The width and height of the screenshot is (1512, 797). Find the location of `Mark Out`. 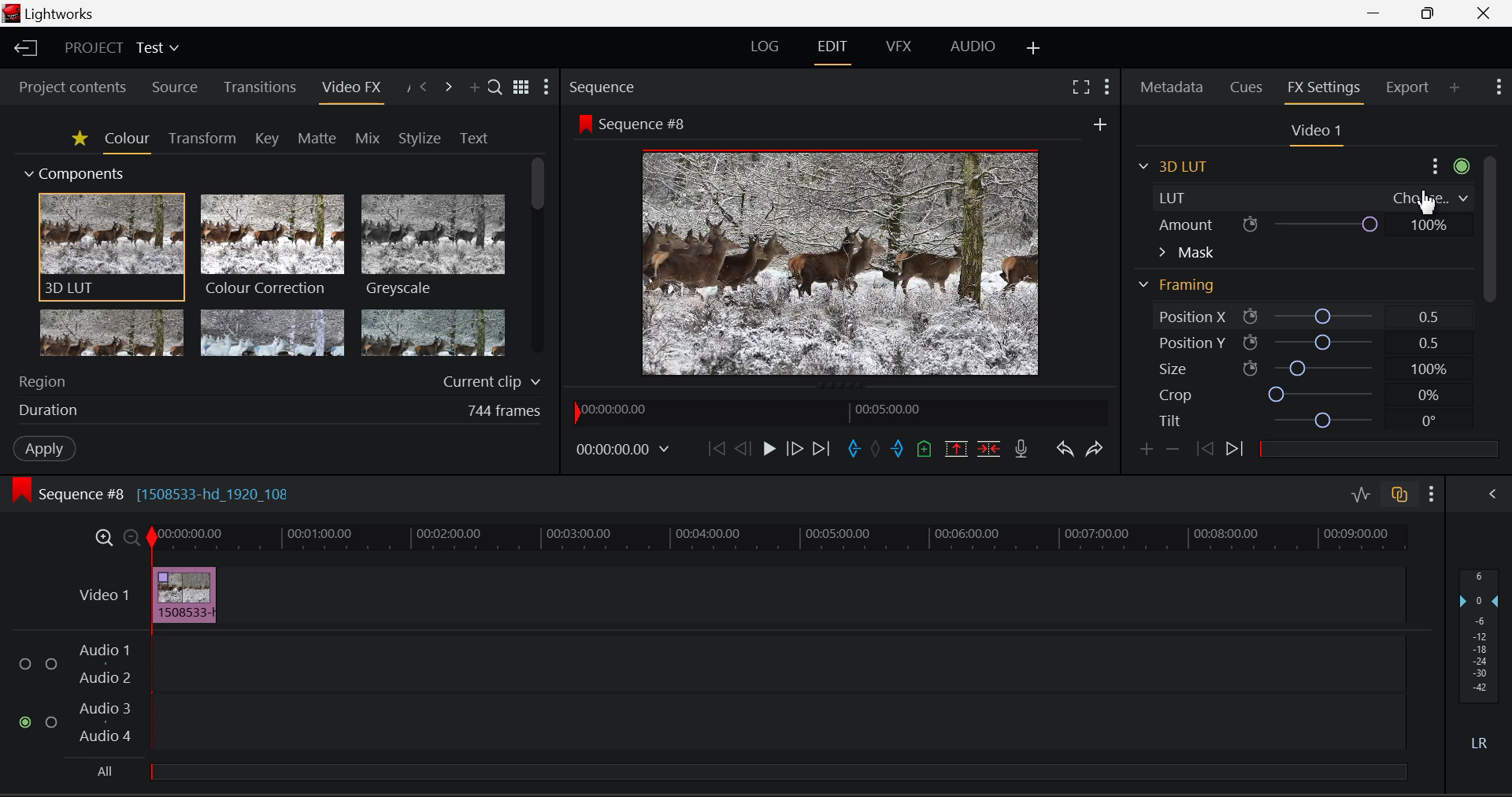

Mark Out is located at coordinates (898, 449).